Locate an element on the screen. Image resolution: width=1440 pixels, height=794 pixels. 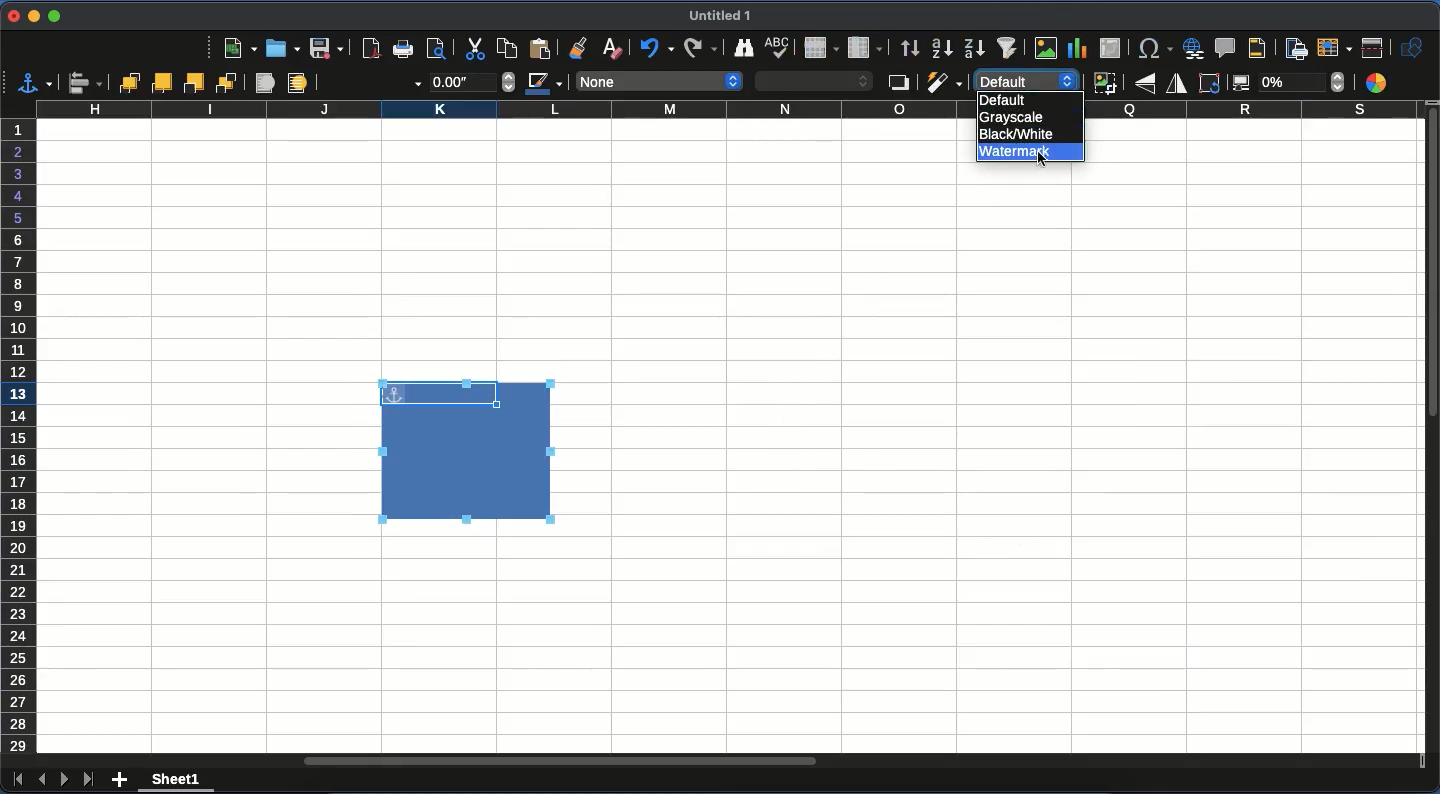
ascending is located at coordinates (940, 48).